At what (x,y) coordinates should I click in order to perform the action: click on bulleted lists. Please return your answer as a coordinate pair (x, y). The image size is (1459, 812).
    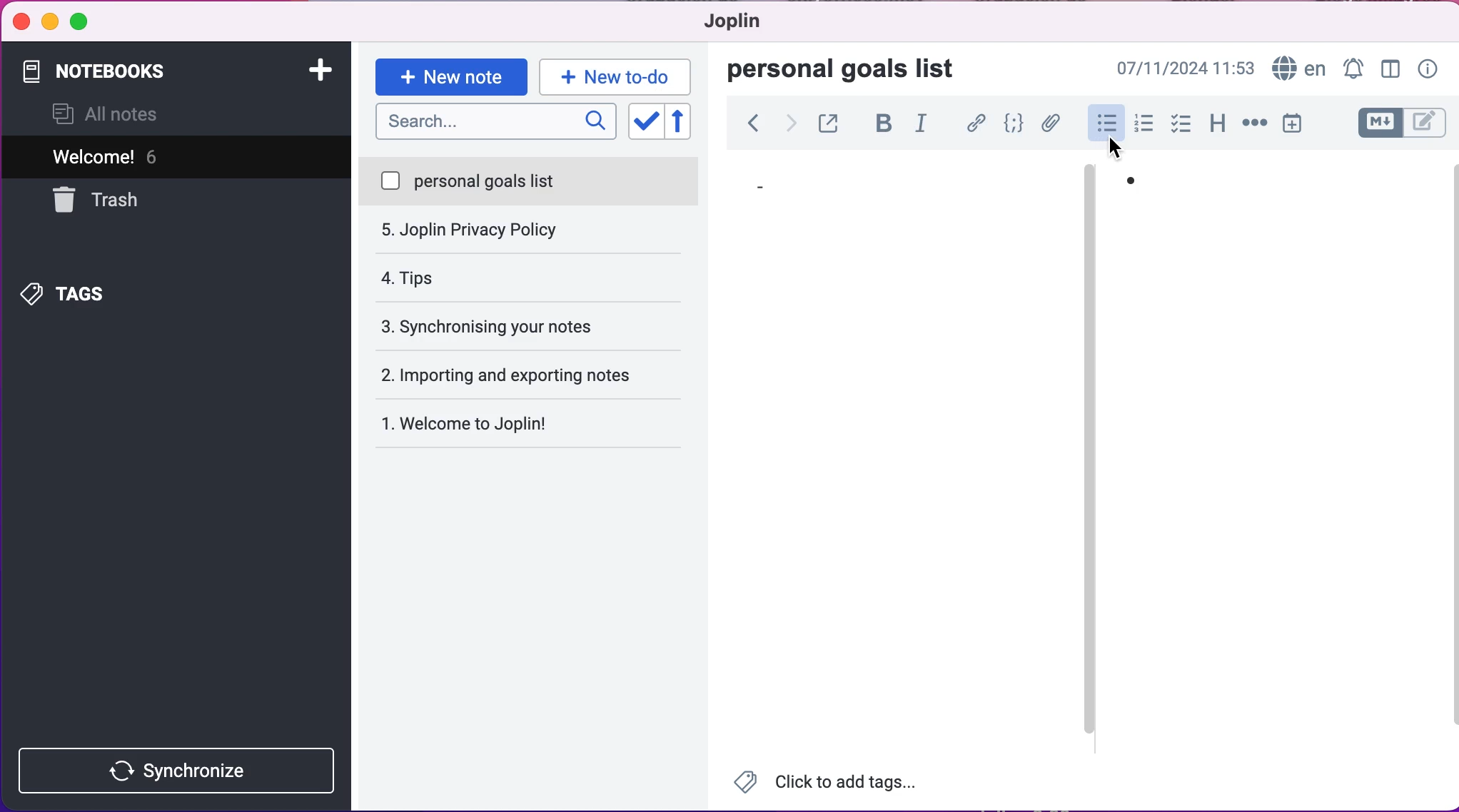
    Looking at the image, I should click on (1104, 127).